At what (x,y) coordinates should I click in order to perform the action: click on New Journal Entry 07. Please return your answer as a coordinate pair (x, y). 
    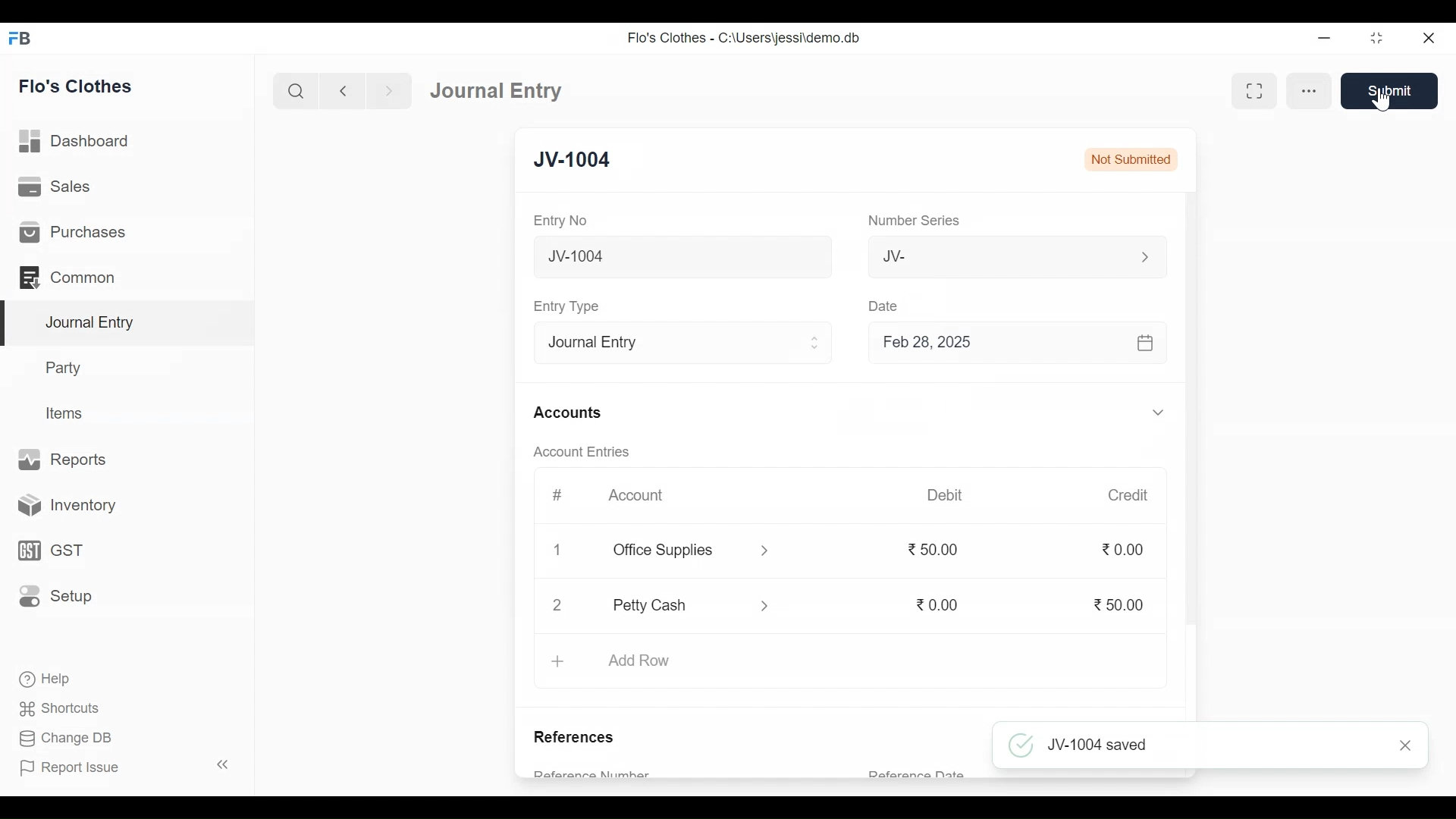
    Looking at the image, I should click on (684, 259).